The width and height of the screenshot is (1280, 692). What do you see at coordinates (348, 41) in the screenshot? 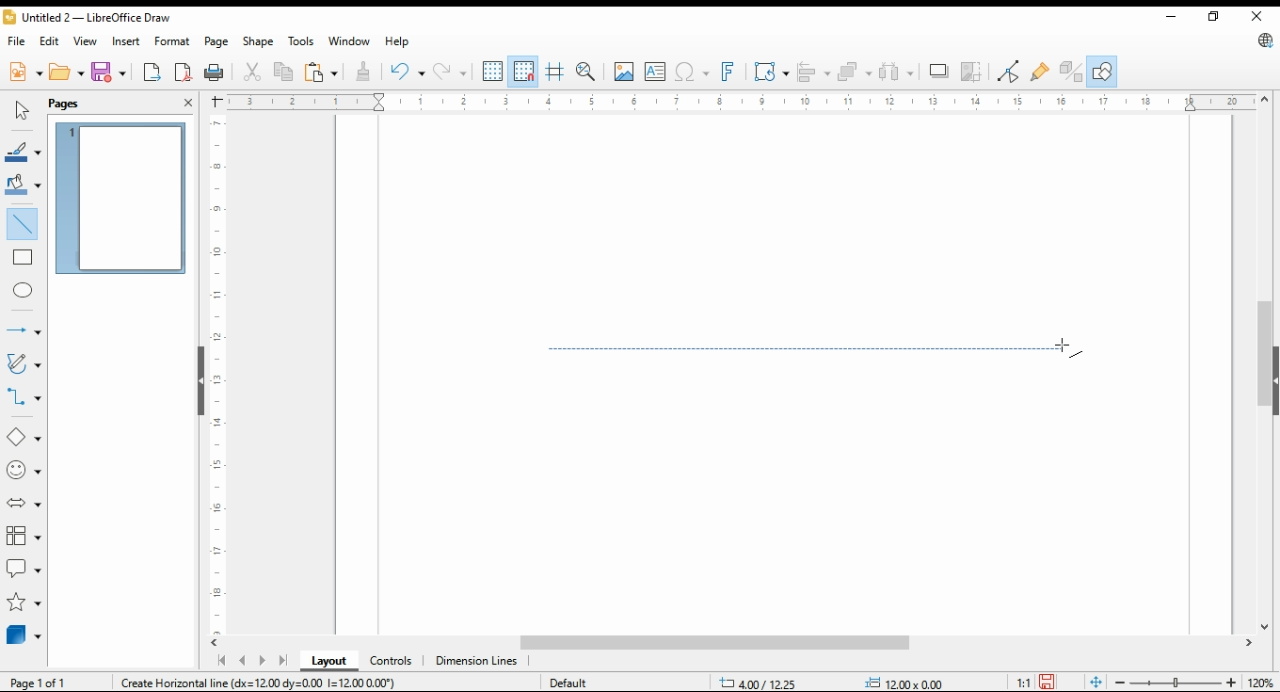
I see `window` at bounding box center [348, 41].